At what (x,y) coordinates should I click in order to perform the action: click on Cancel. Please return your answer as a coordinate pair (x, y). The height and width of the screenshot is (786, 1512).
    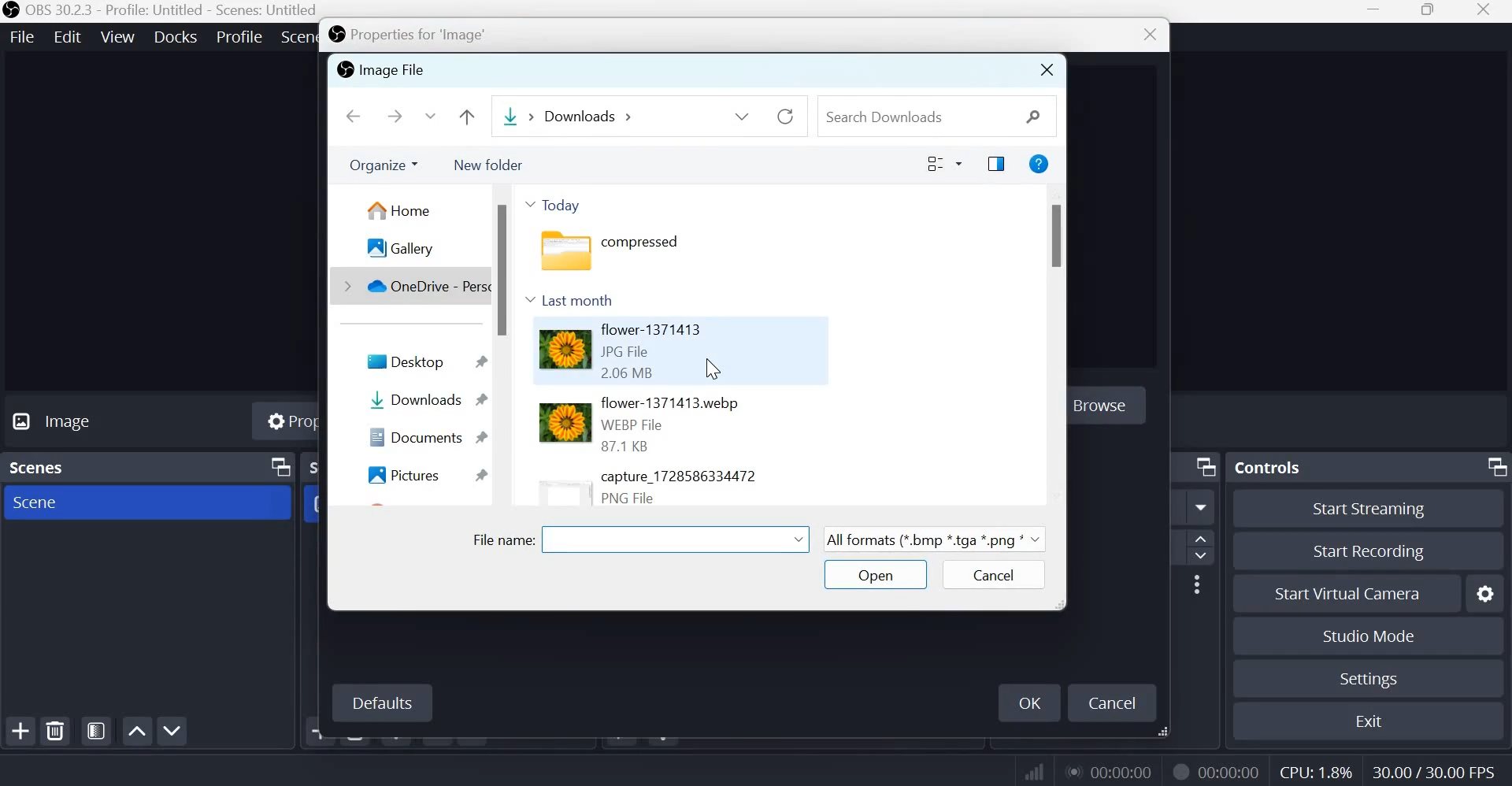
    Looking at the image, I should click on (1116, 704).